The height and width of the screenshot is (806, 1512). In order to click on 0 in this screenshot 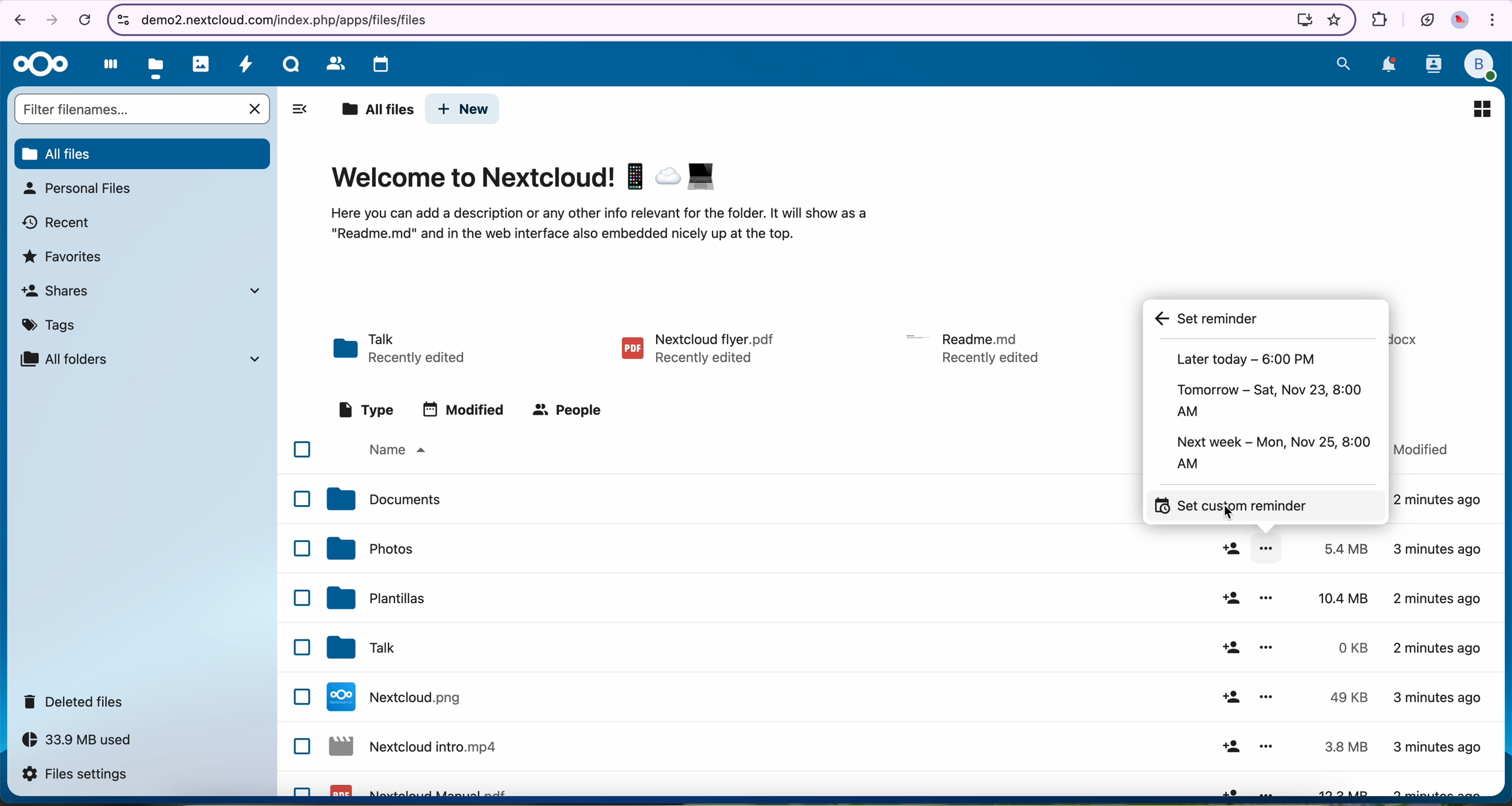, I will do `click(1344, 648)`.